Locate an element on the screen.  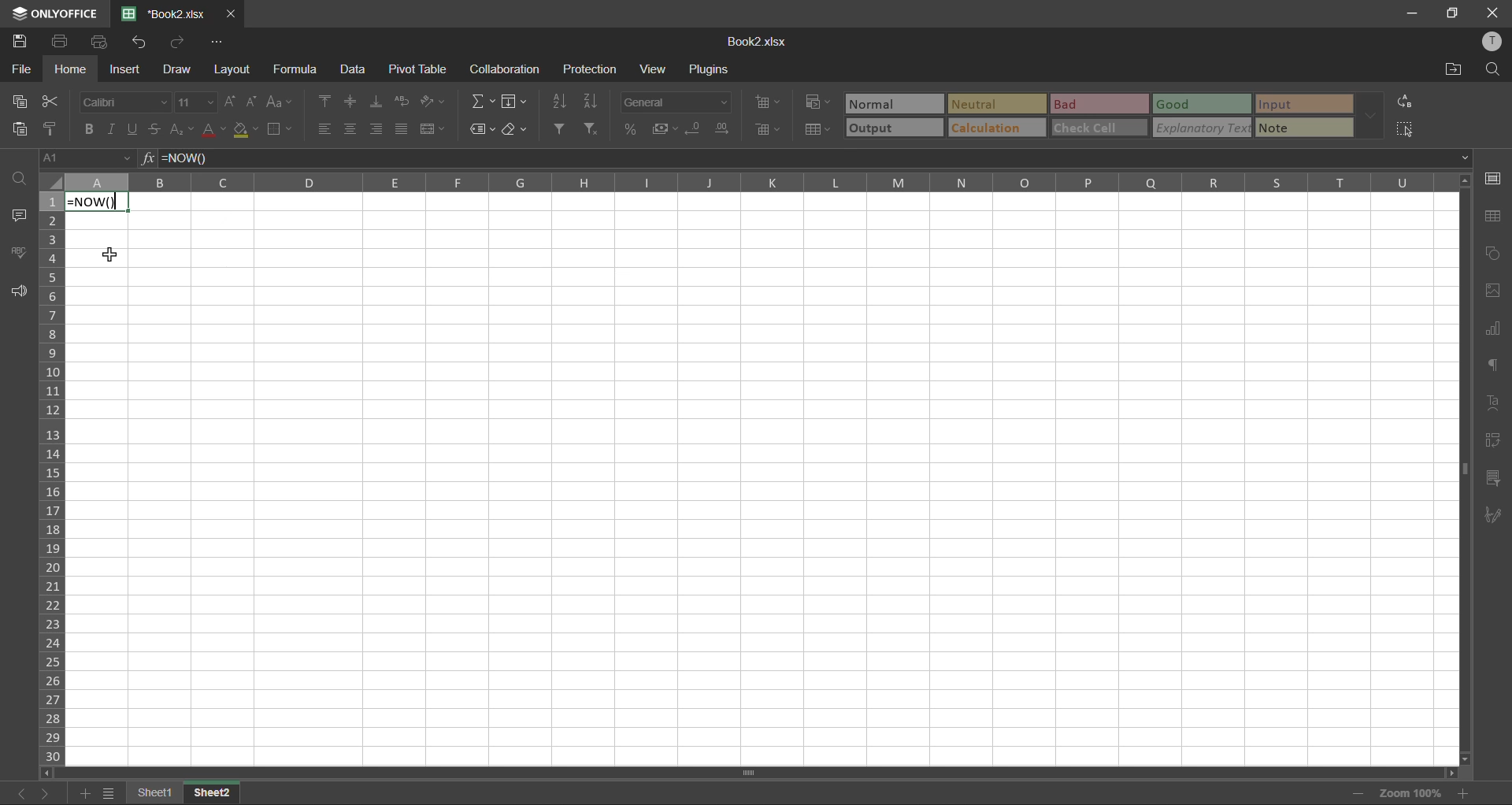
decrease decimal is located at coordinates (699, 128).